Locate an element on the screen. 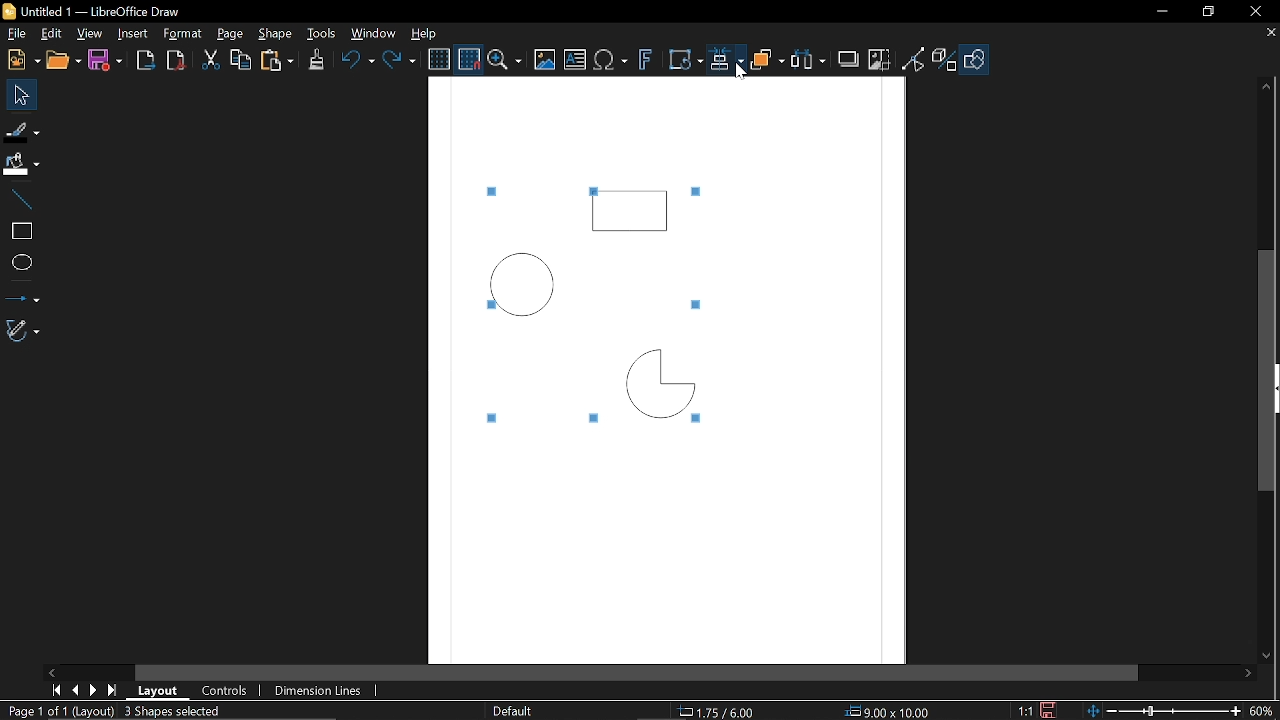 The height and width of the screenshot is (720, 1280). Dimension lines is located at coordinates (327, 691).